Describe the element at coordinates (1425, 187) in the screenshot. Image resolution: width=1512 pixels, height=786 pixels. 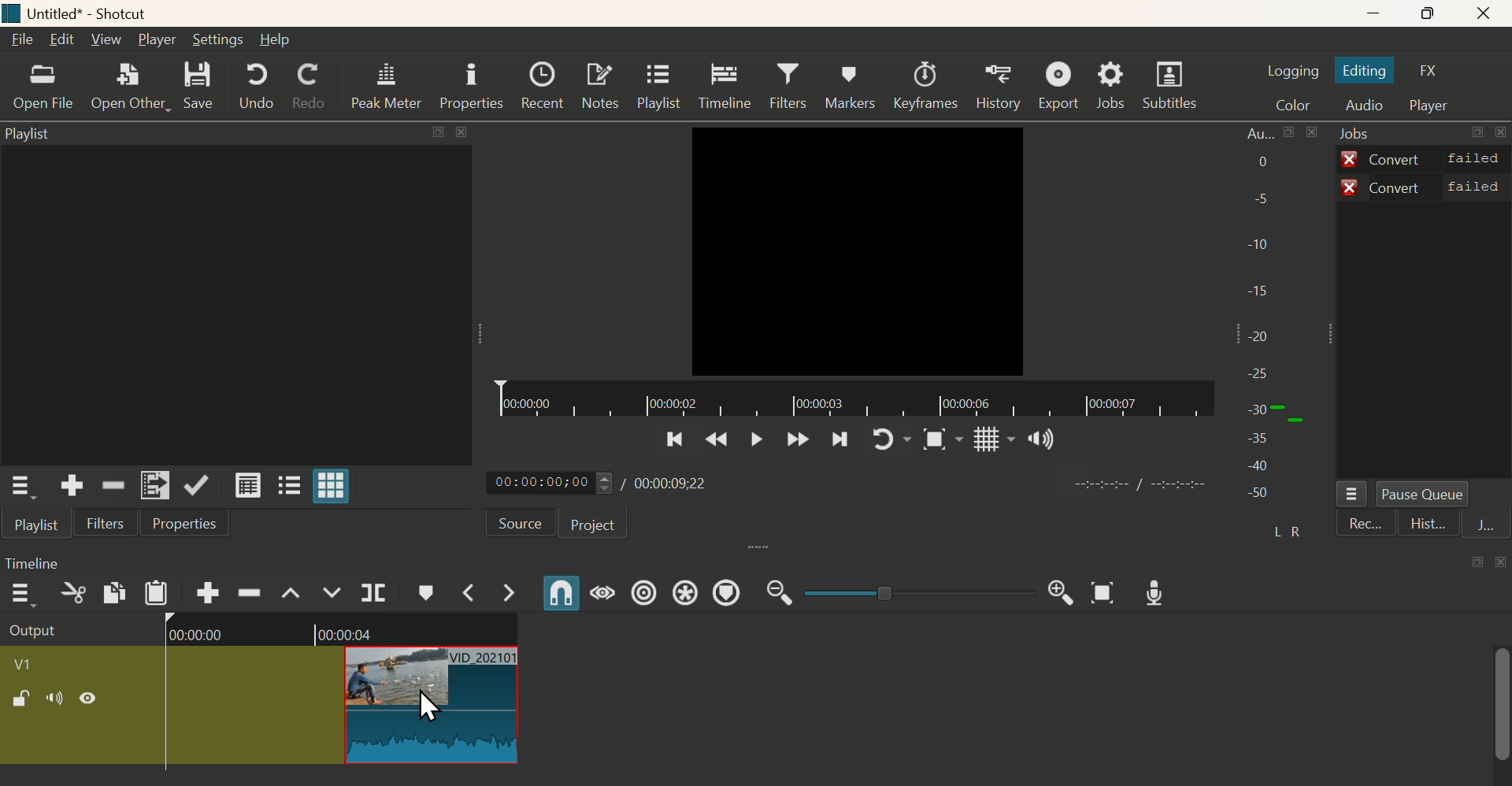
I see `Convert` at that location.